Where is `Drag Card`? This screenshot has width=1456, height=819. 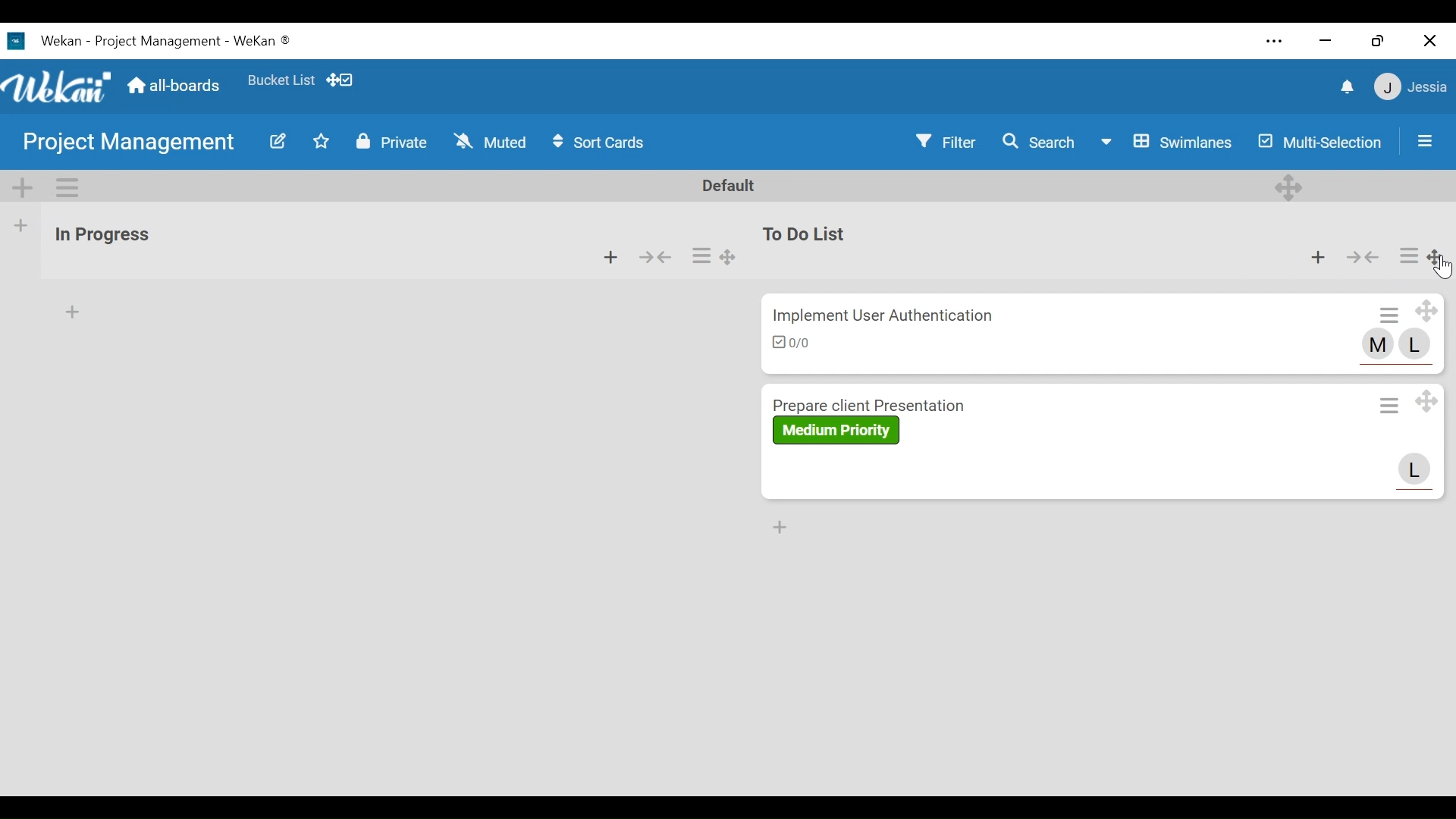 Drag Card is located at coordinates (1425, 402).